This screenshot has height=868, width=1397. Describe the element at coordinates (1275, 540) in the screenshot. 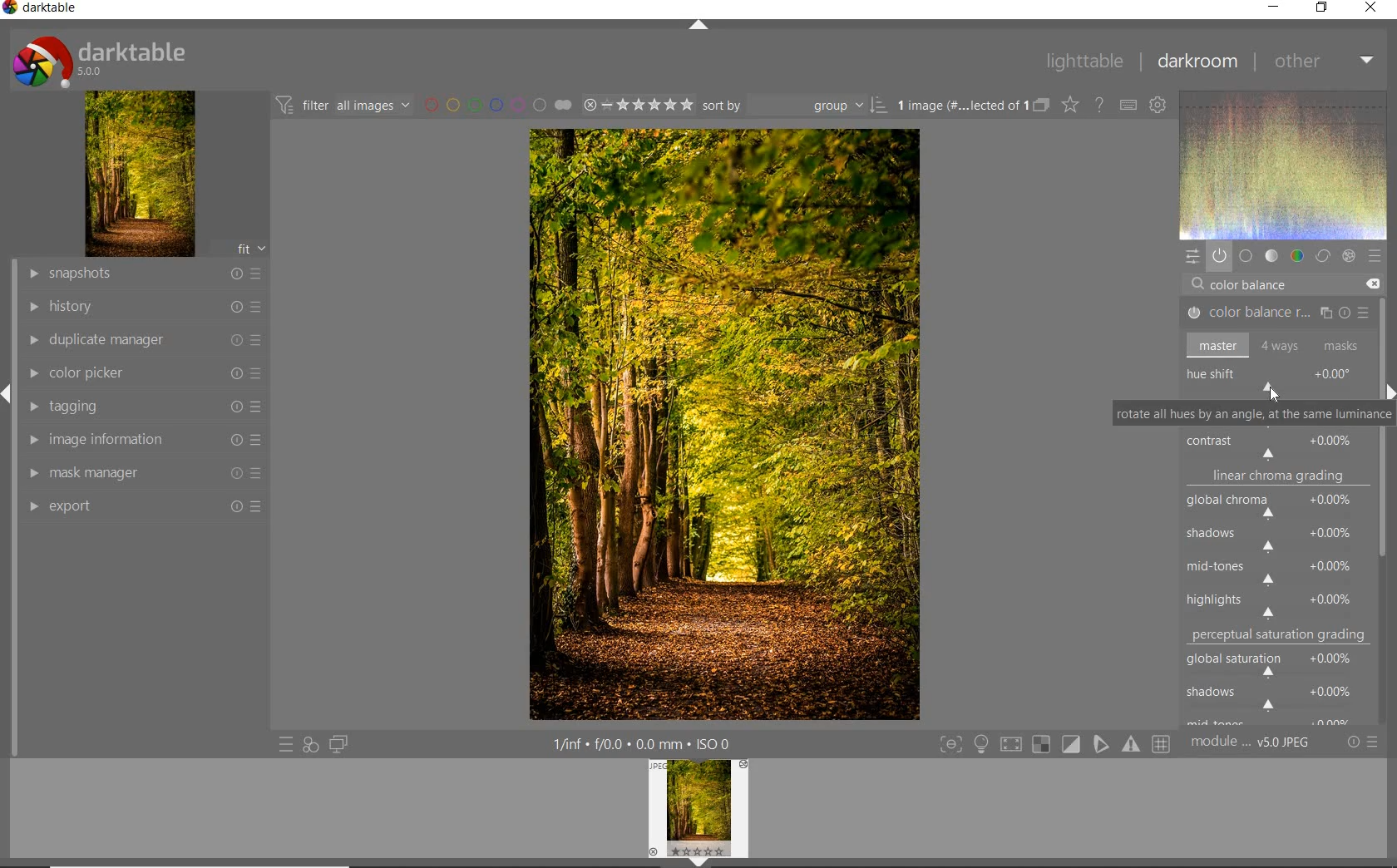

I see `shadows` at that location.